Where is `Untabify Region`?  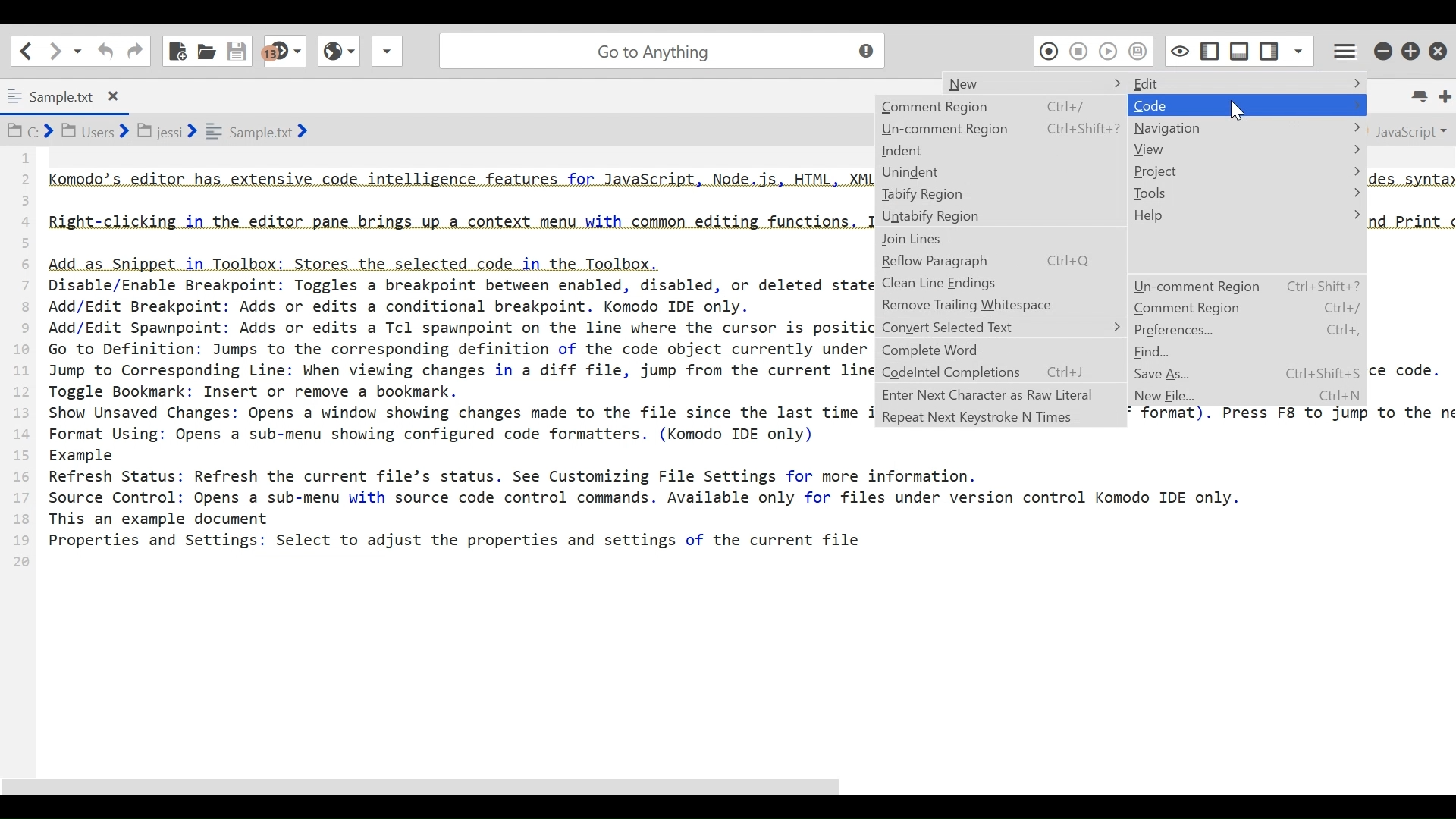 Untabify Region is located at coordinates (1000, 217).